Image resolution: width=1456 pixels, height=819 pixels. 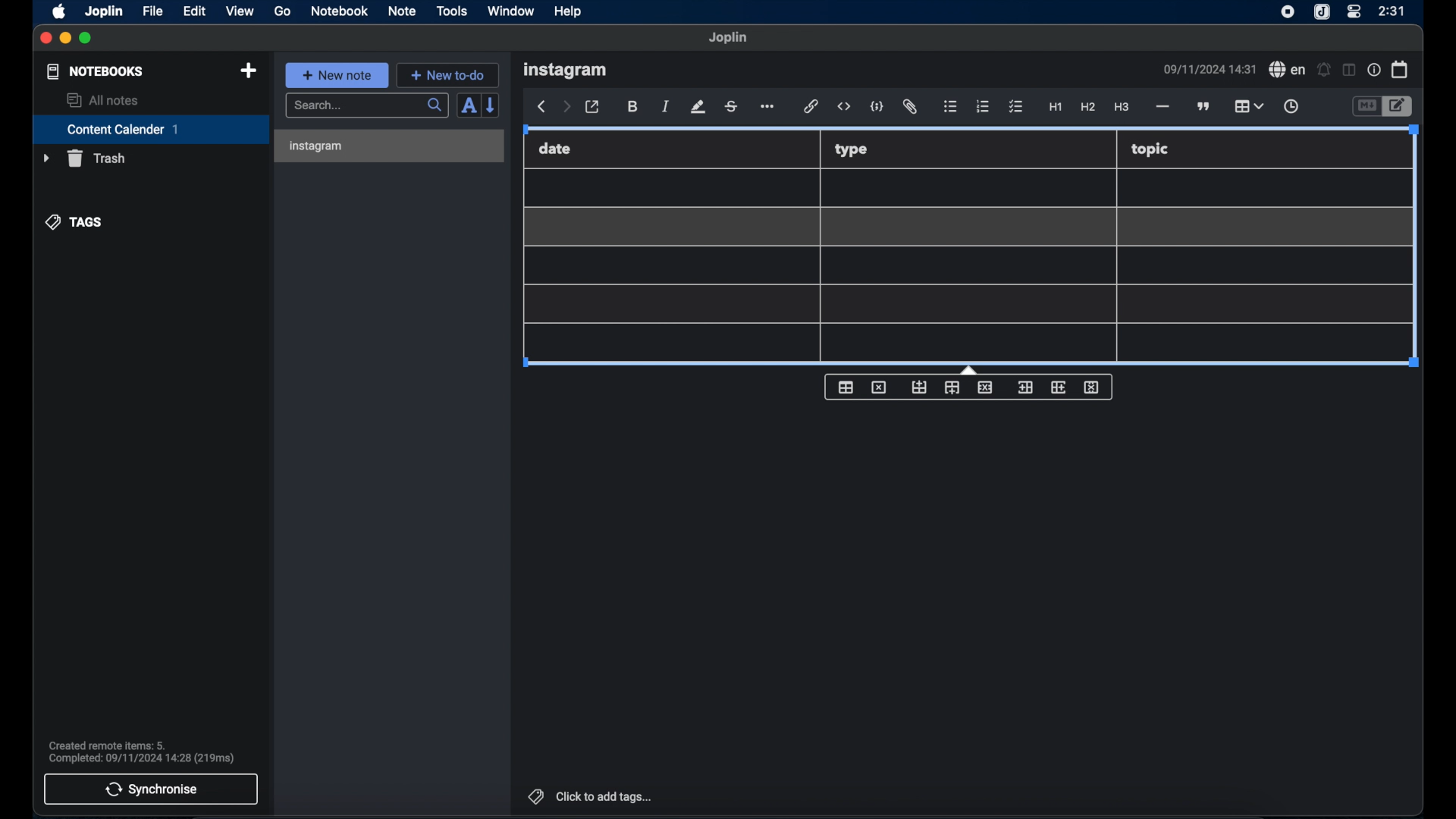 I want to click on type, so click(x=852, y=149).